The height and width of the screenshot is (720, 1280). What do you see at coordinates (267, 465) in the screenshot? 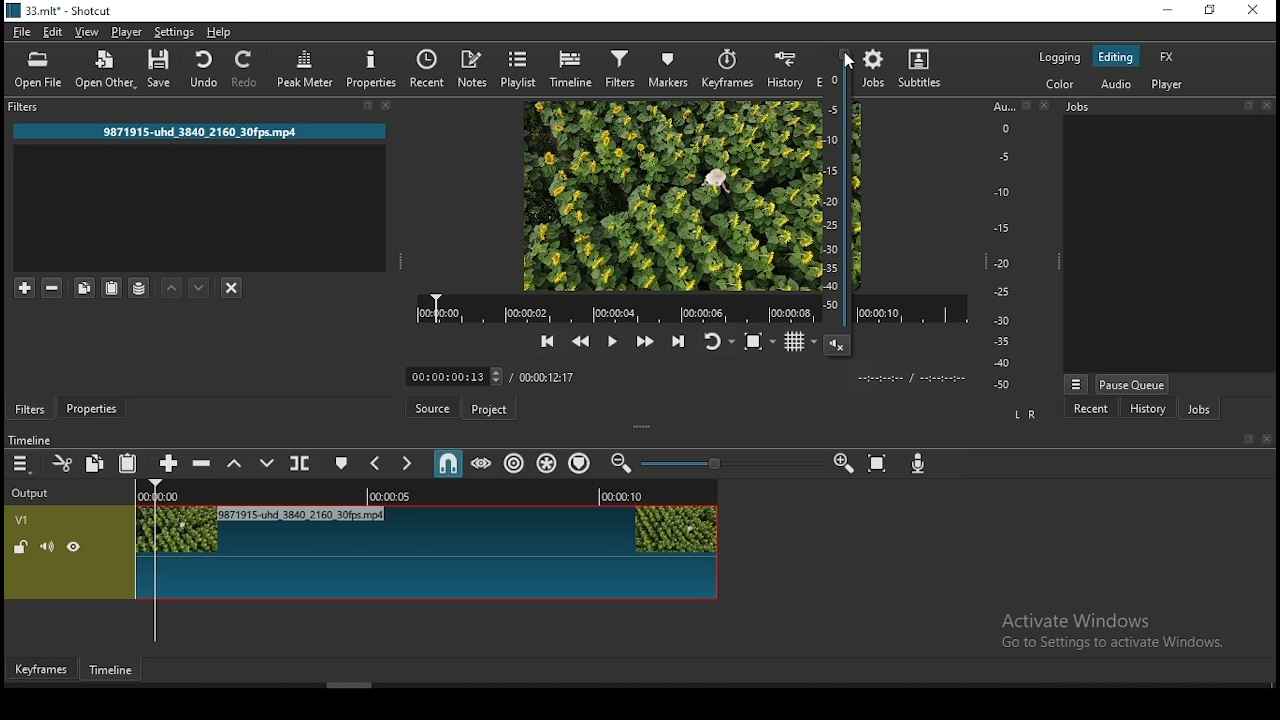
I see `overwrite` at bounding box center [267, 465].